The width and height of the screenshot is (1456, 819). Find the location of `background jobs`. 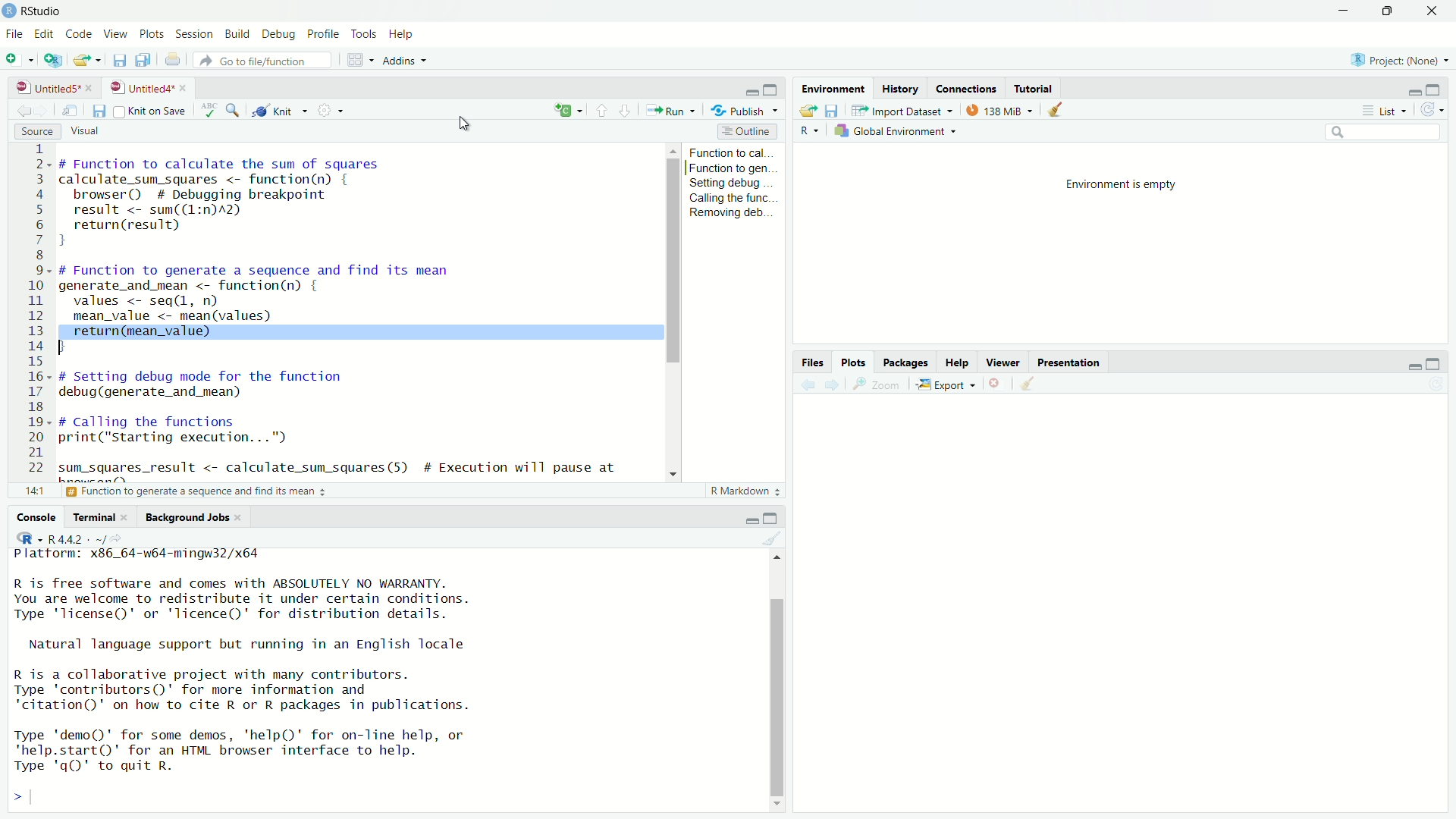

background jobs is located at coordinates (187, 516).